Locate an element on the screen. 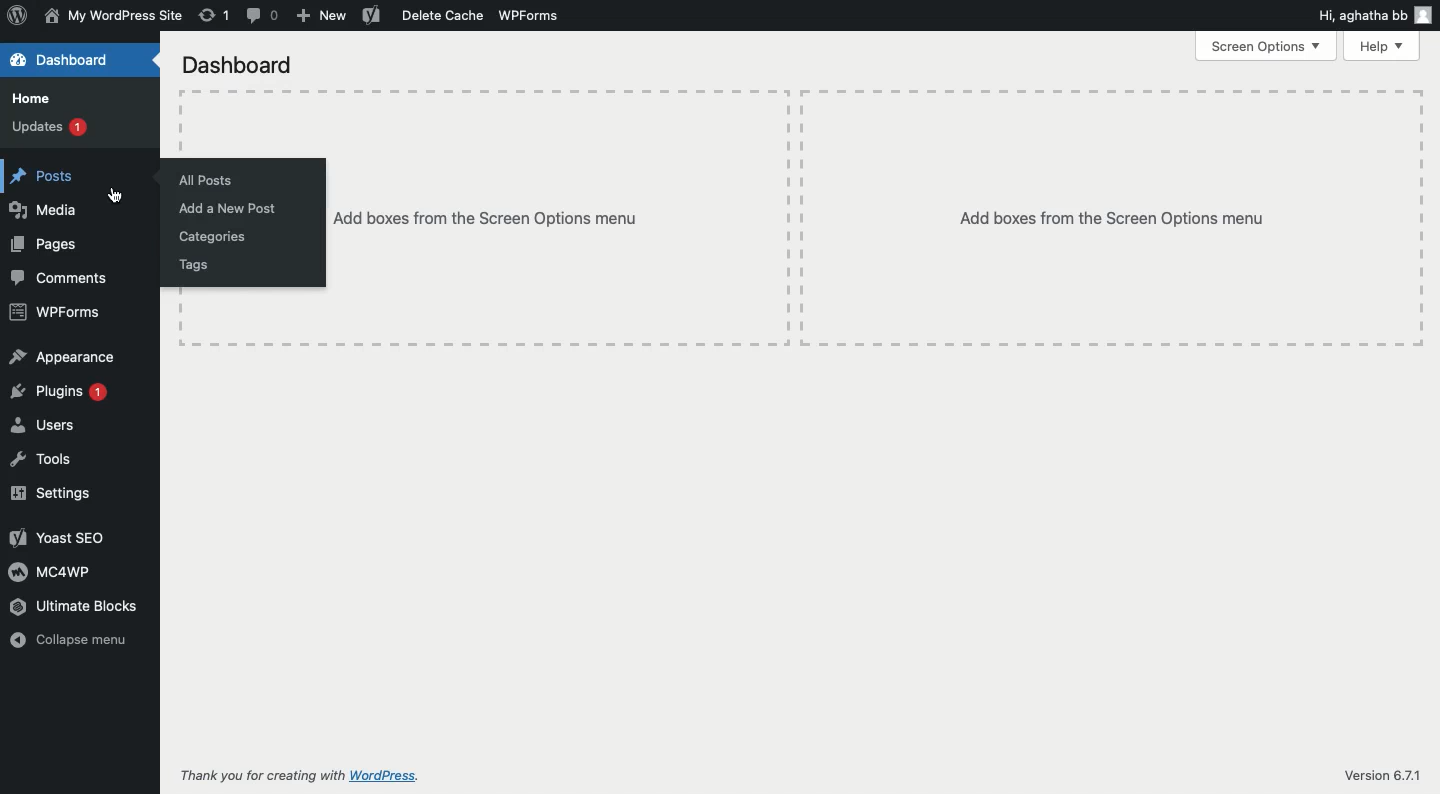 The width and height of the screenshot is (1440, 794). Help is located at coordinates (1384, 47).